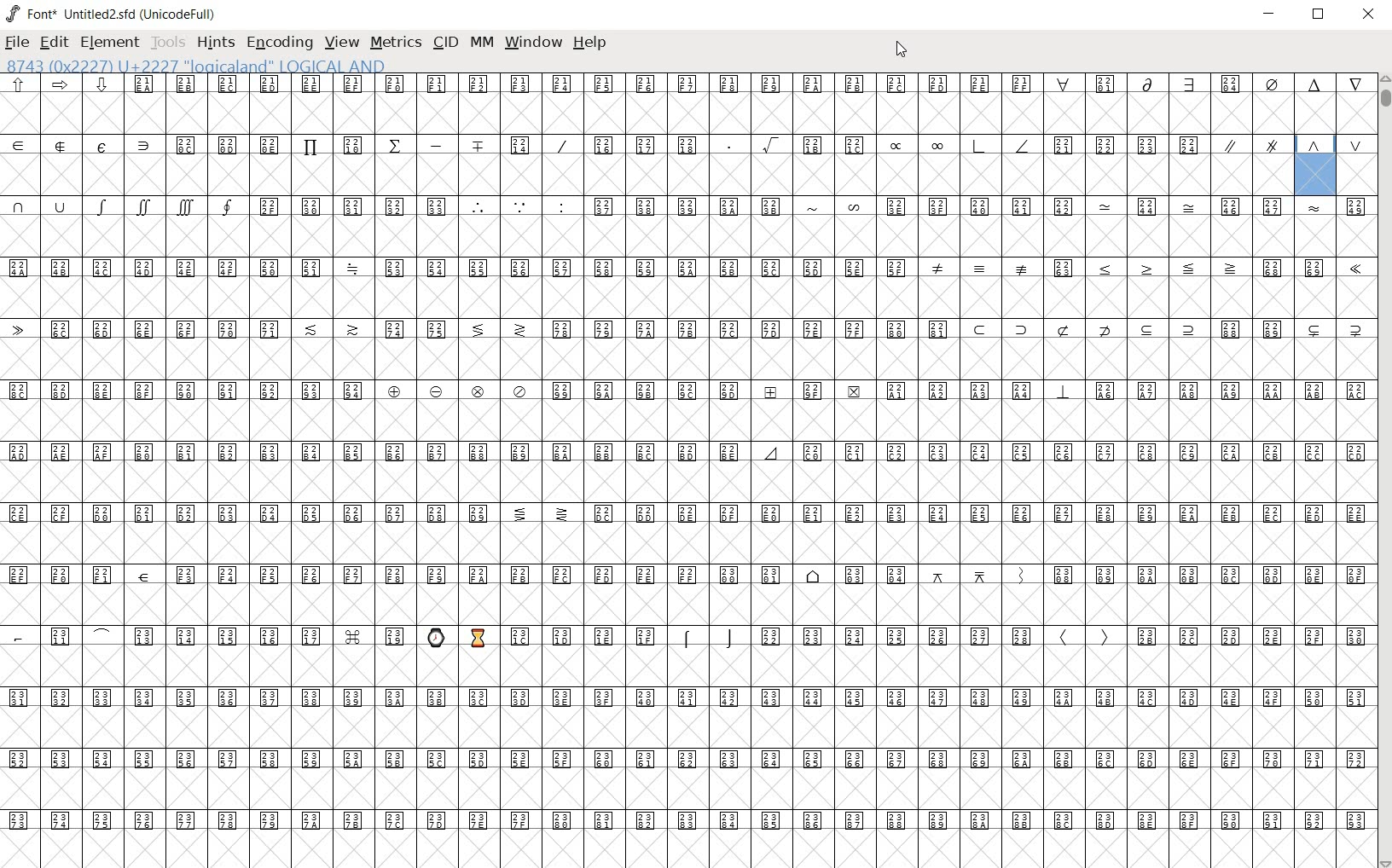 The width and height of the screenshot is (1392, 868). I want to click on file, so click(17, 44).